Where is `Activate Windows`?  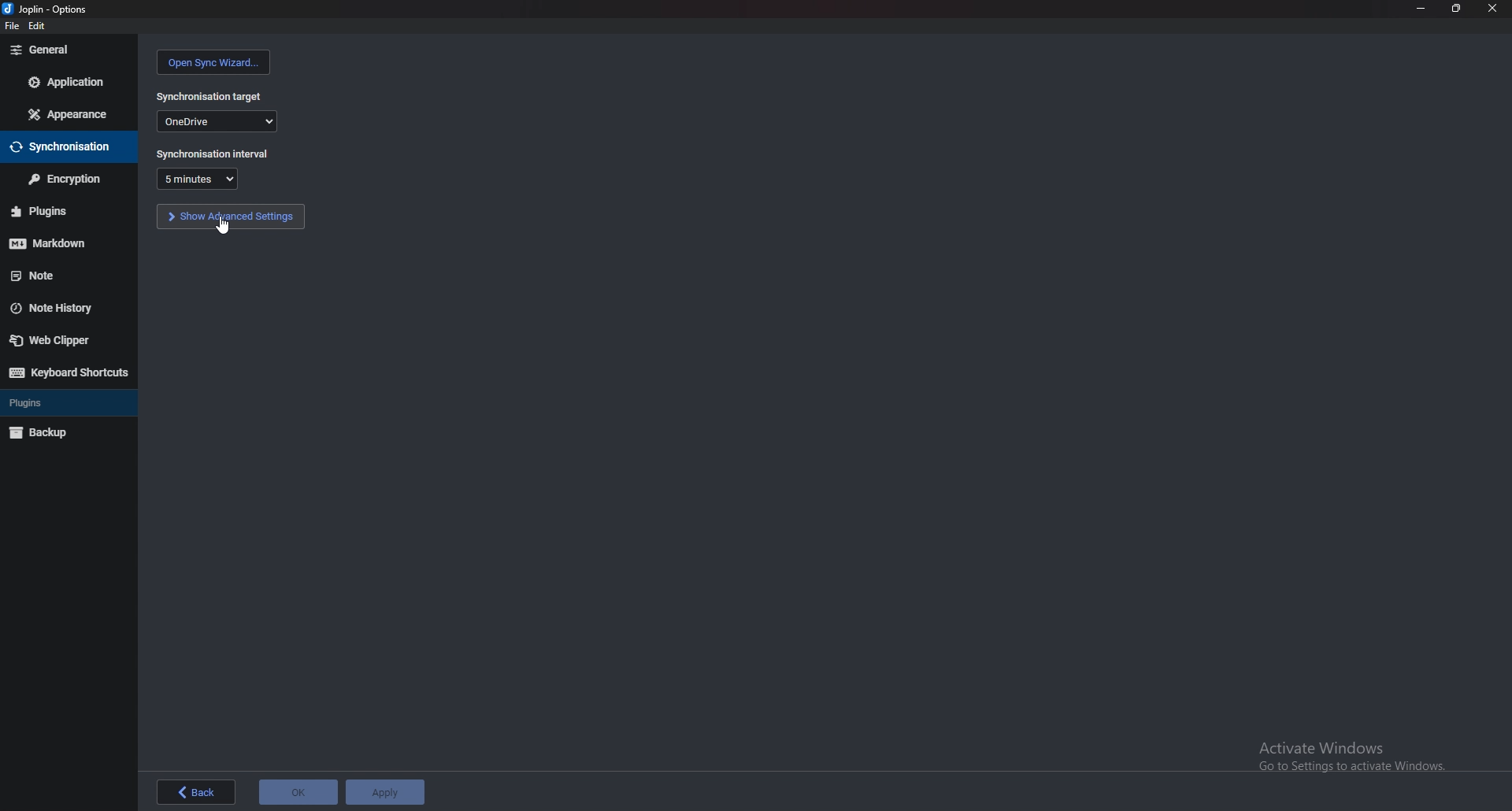 Activate Windows is located at coordinates (1349, 754).